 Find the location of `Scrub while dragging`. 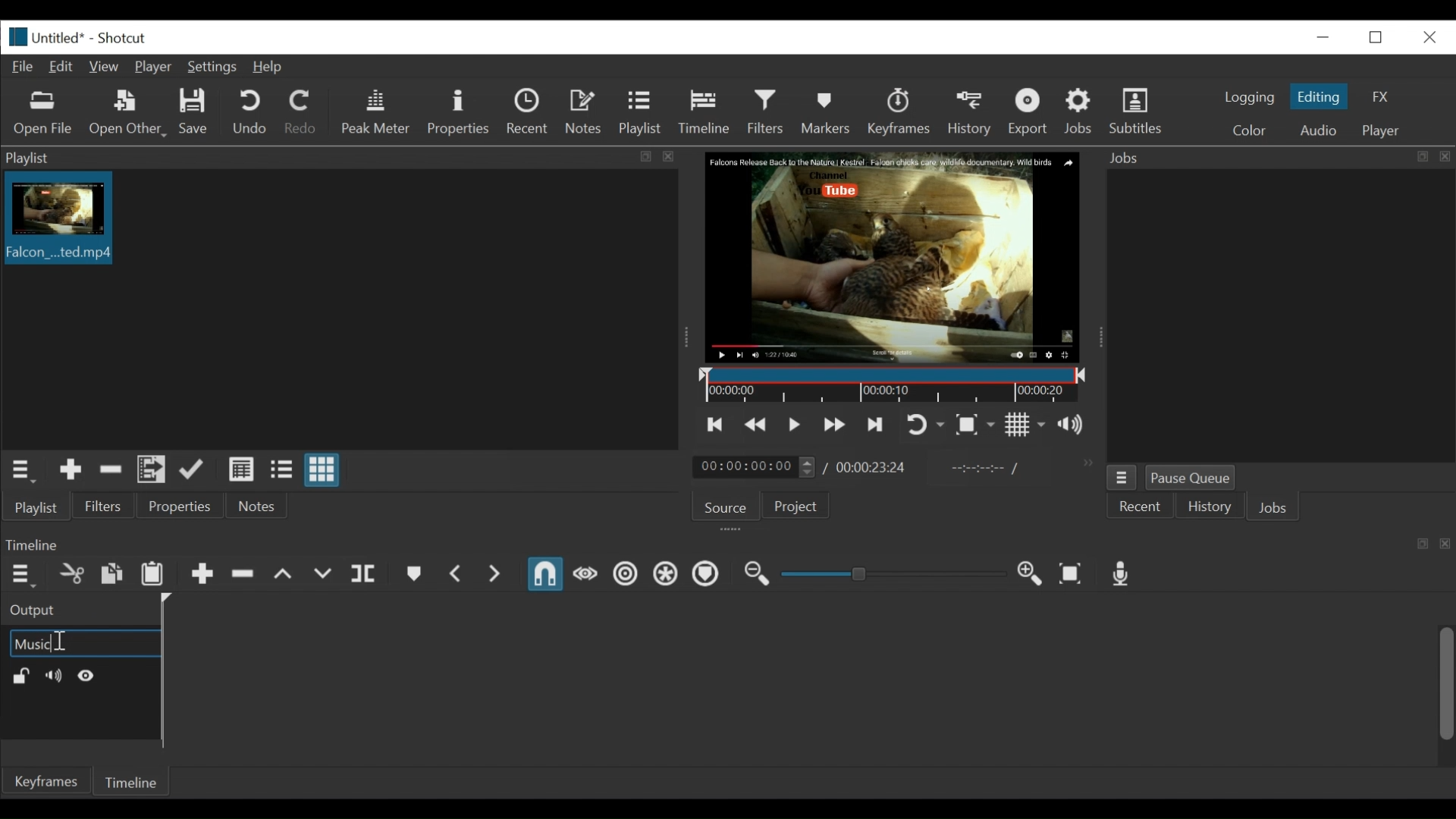

Scrub while dragging is located at coordinates (588, 576).